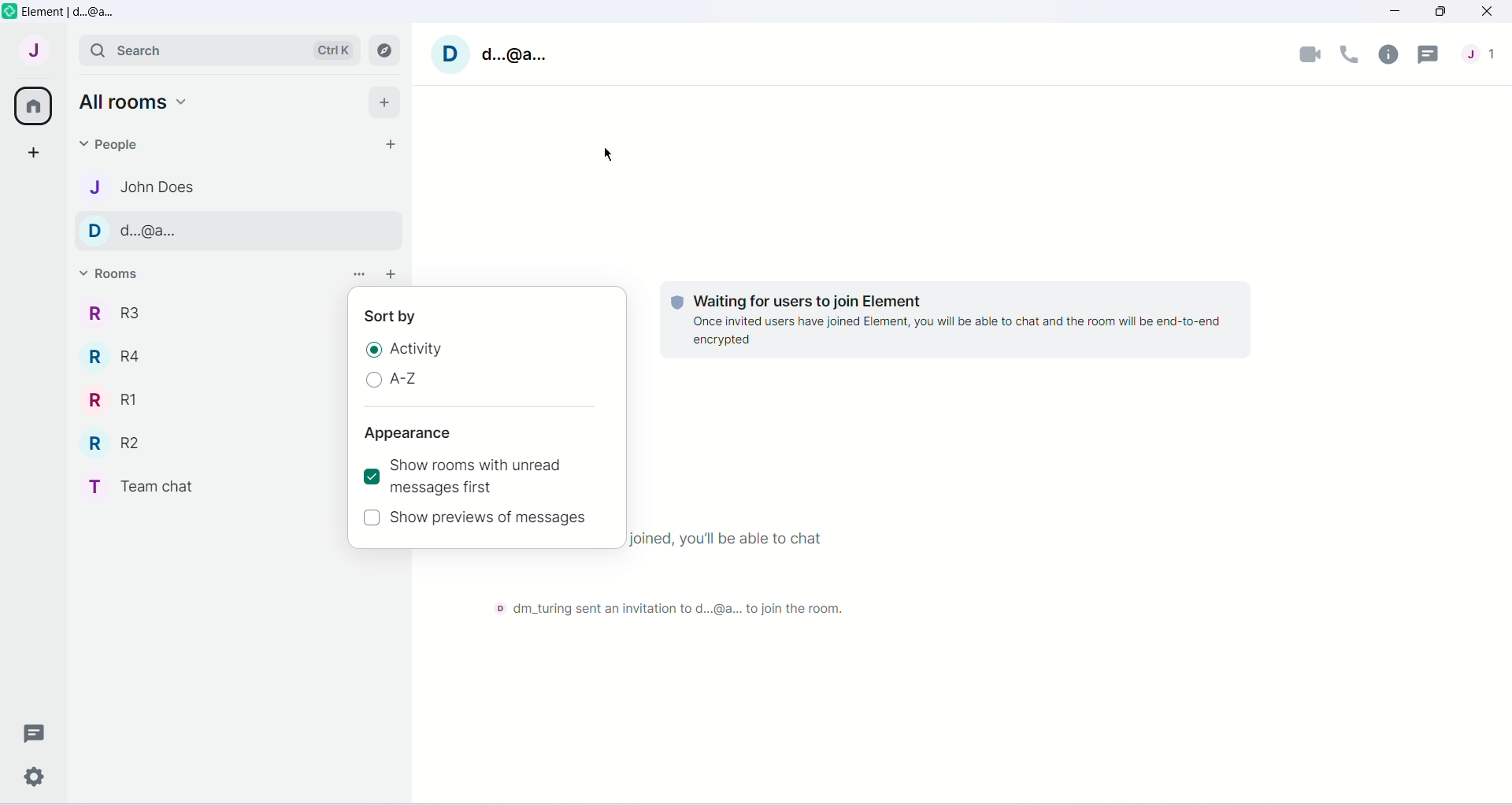  Describe the element at coordinates (372, 351) in the screenshot. I see `Radio button checked` at that location.